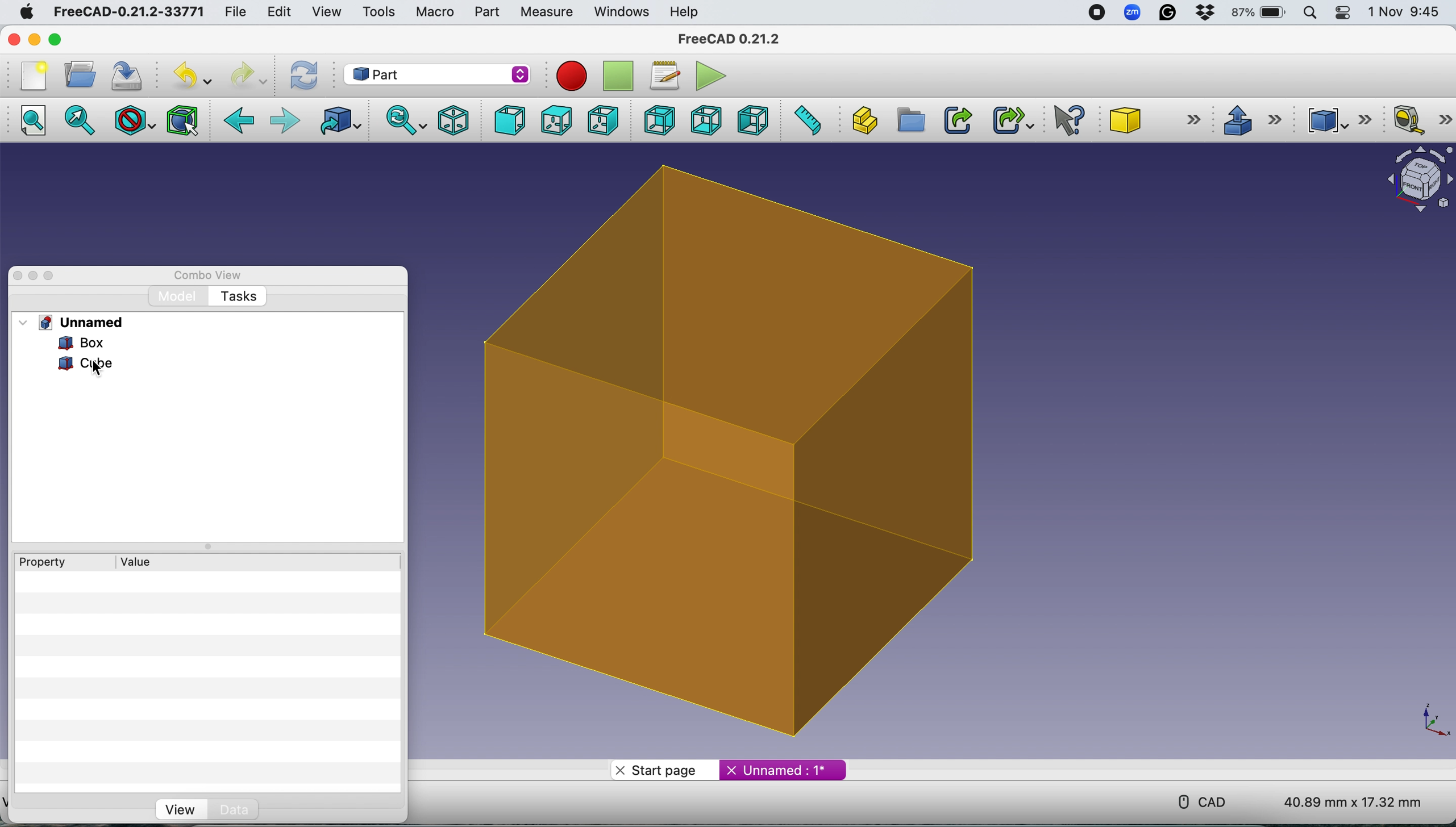 The image size is (1456, 827). Describe the element at coordinates (575, 77) in the screenshot. I see `Record macros` at that location.